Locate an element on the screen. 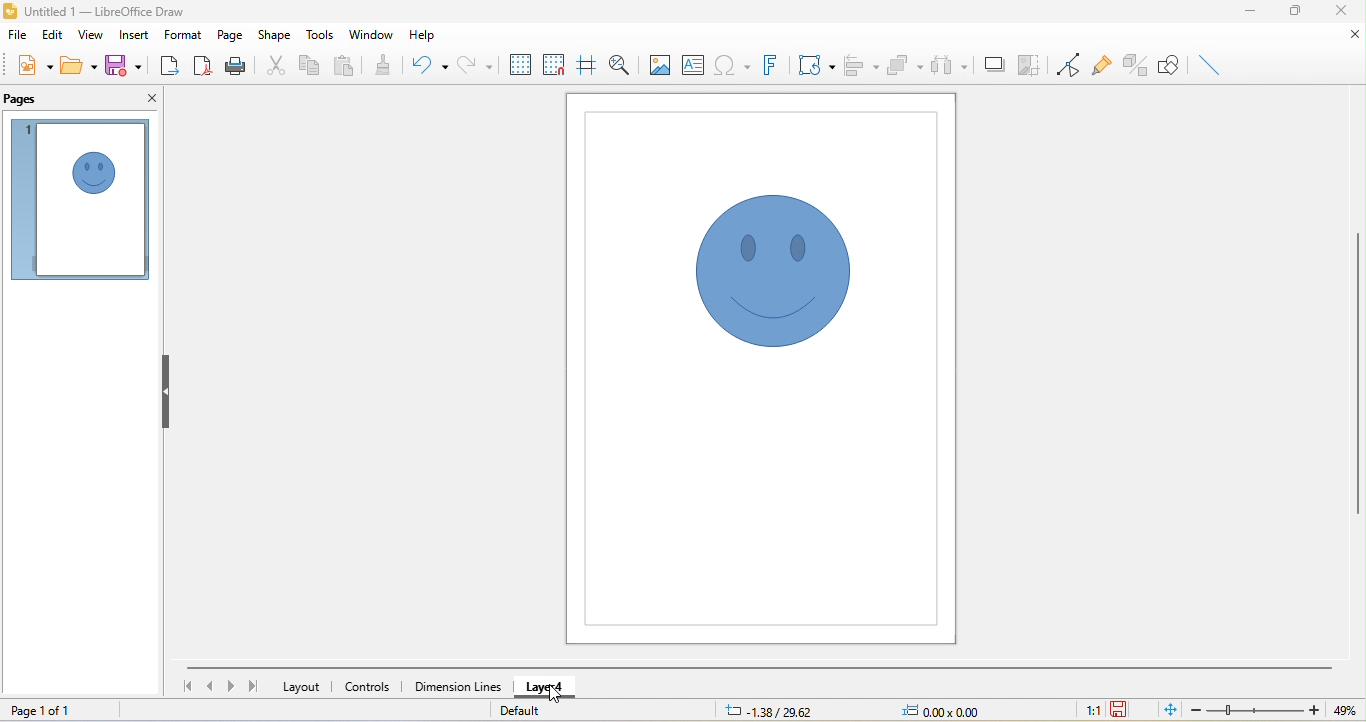  49% is located at coordinates (1344, 710).